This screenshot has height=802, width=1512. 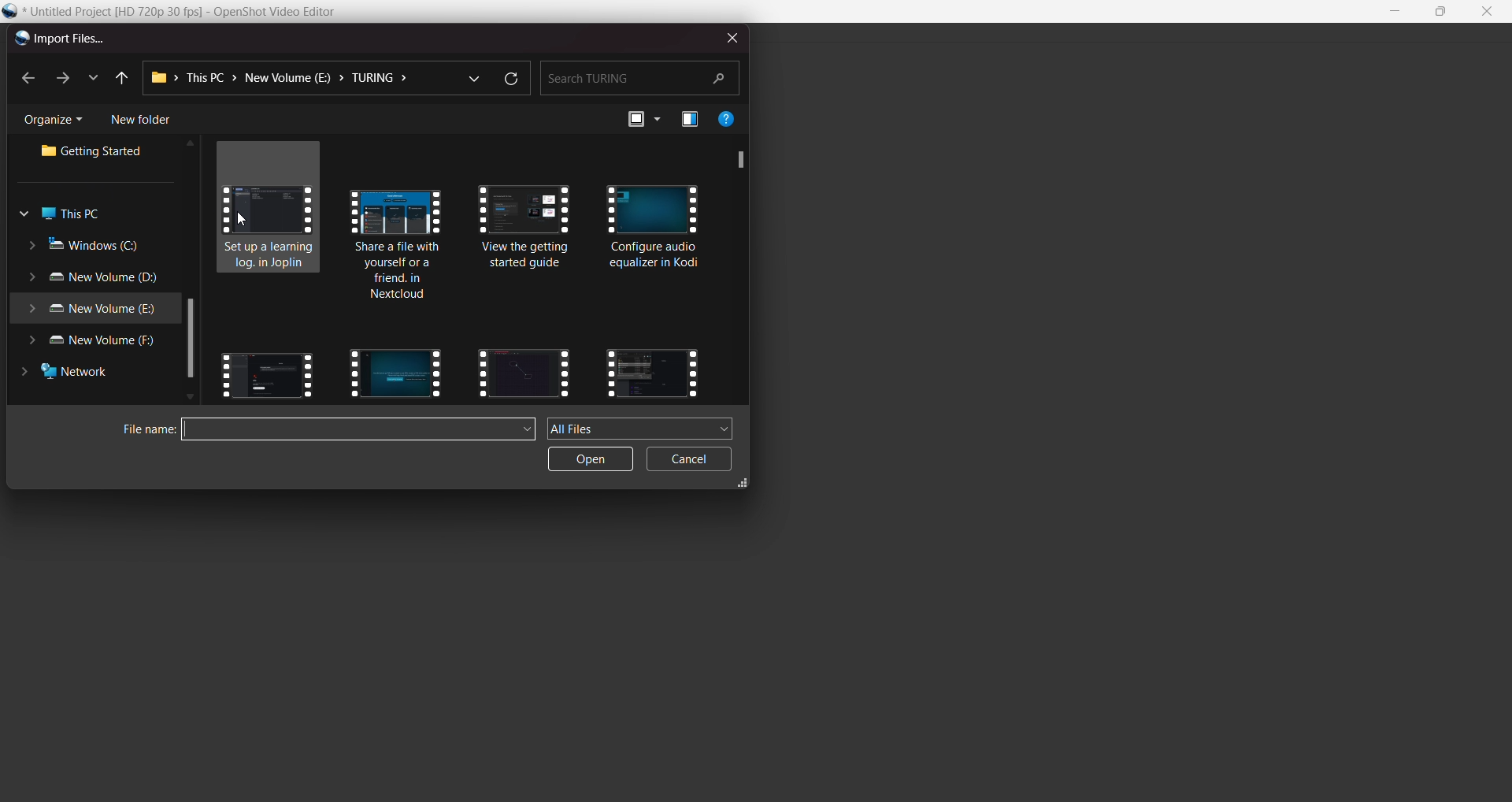 I want to click on all files, so click(x=641, y=428).